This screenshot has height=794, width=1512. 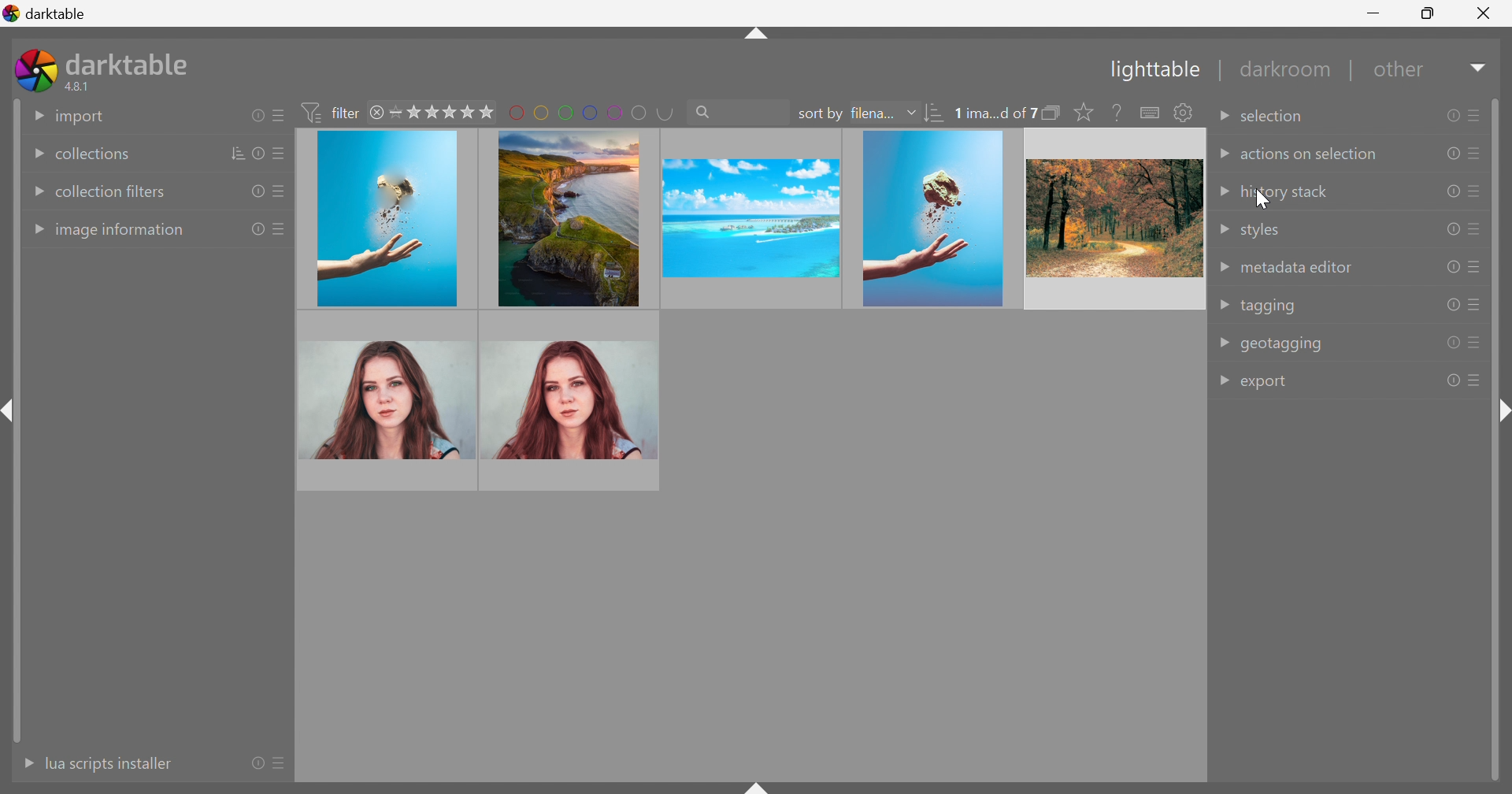 What do you see at coordinates (1452, 228) in the screenshot?
I see `reset` at bounding box center [1452, 228].